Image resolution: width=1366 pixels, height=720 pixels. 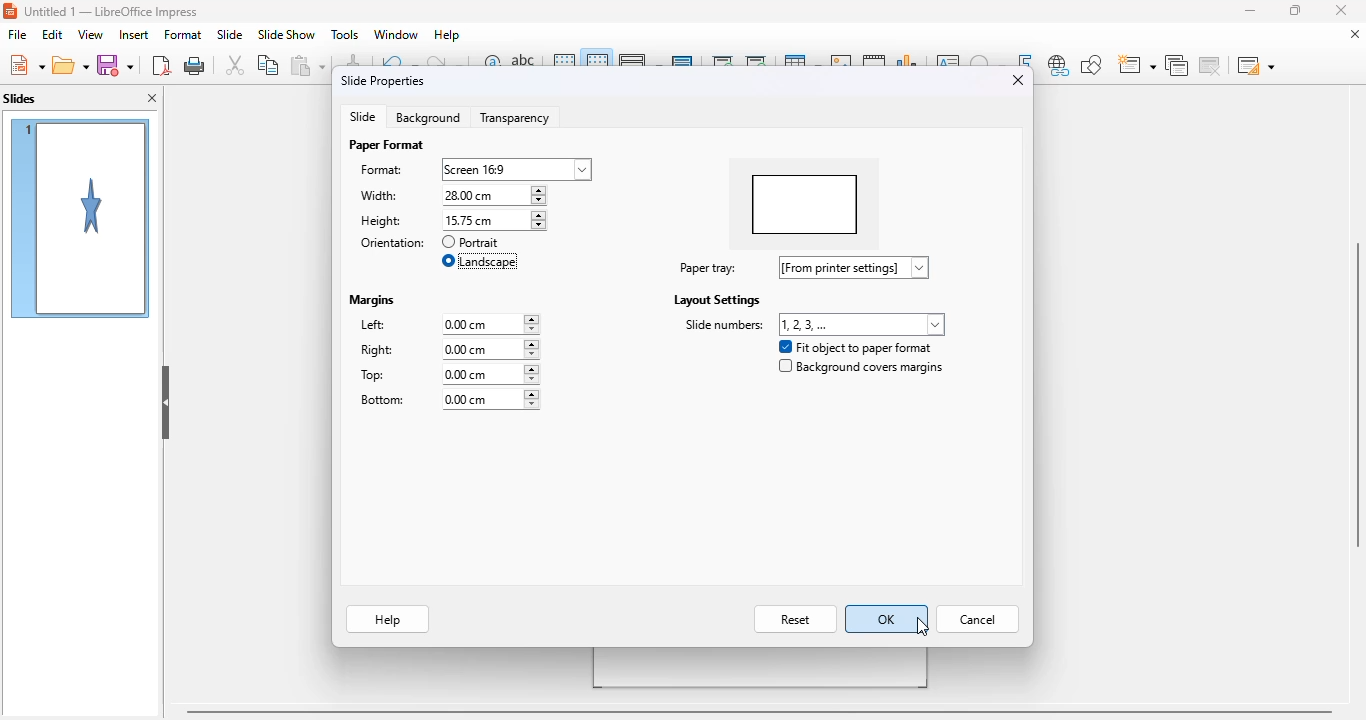 What do you see at coordinates (10, 11) in the screenshot?
I see `logo` at bounding box center [10, 11].